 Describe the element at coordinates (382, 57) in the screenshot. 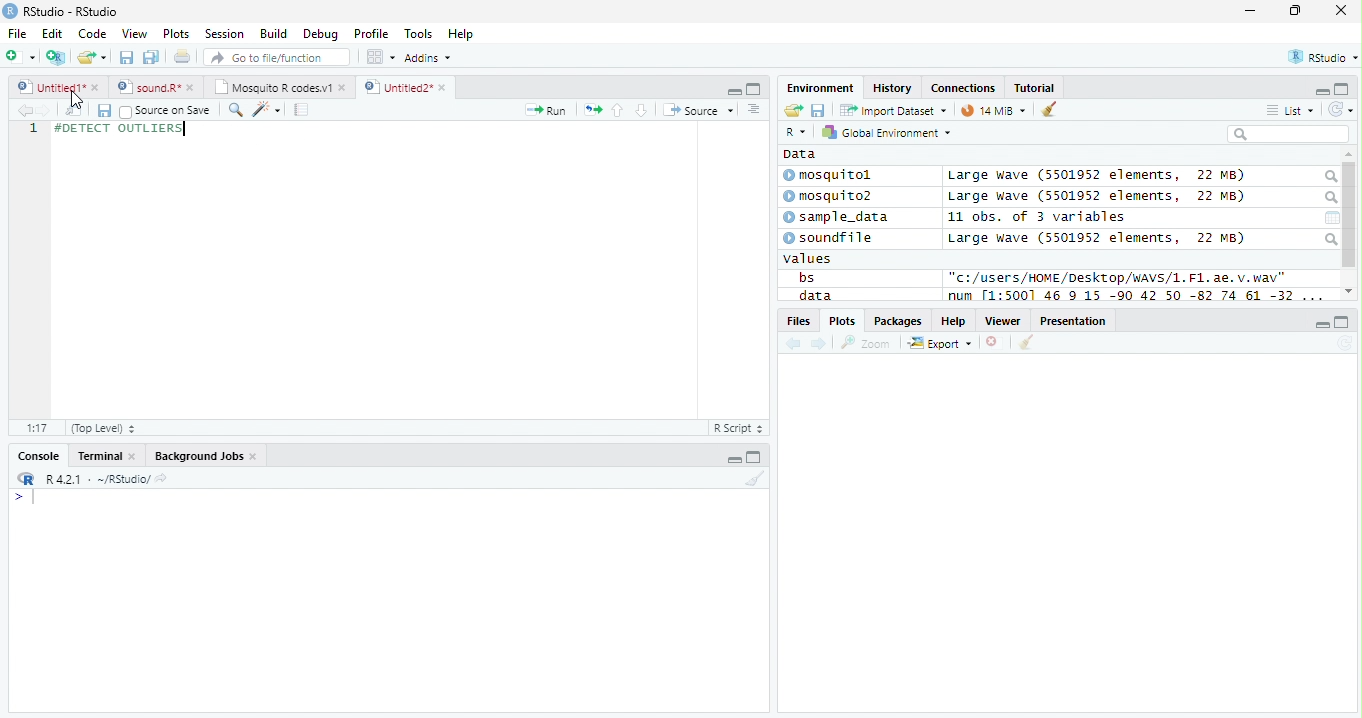

I see `workspace panes` at that location.